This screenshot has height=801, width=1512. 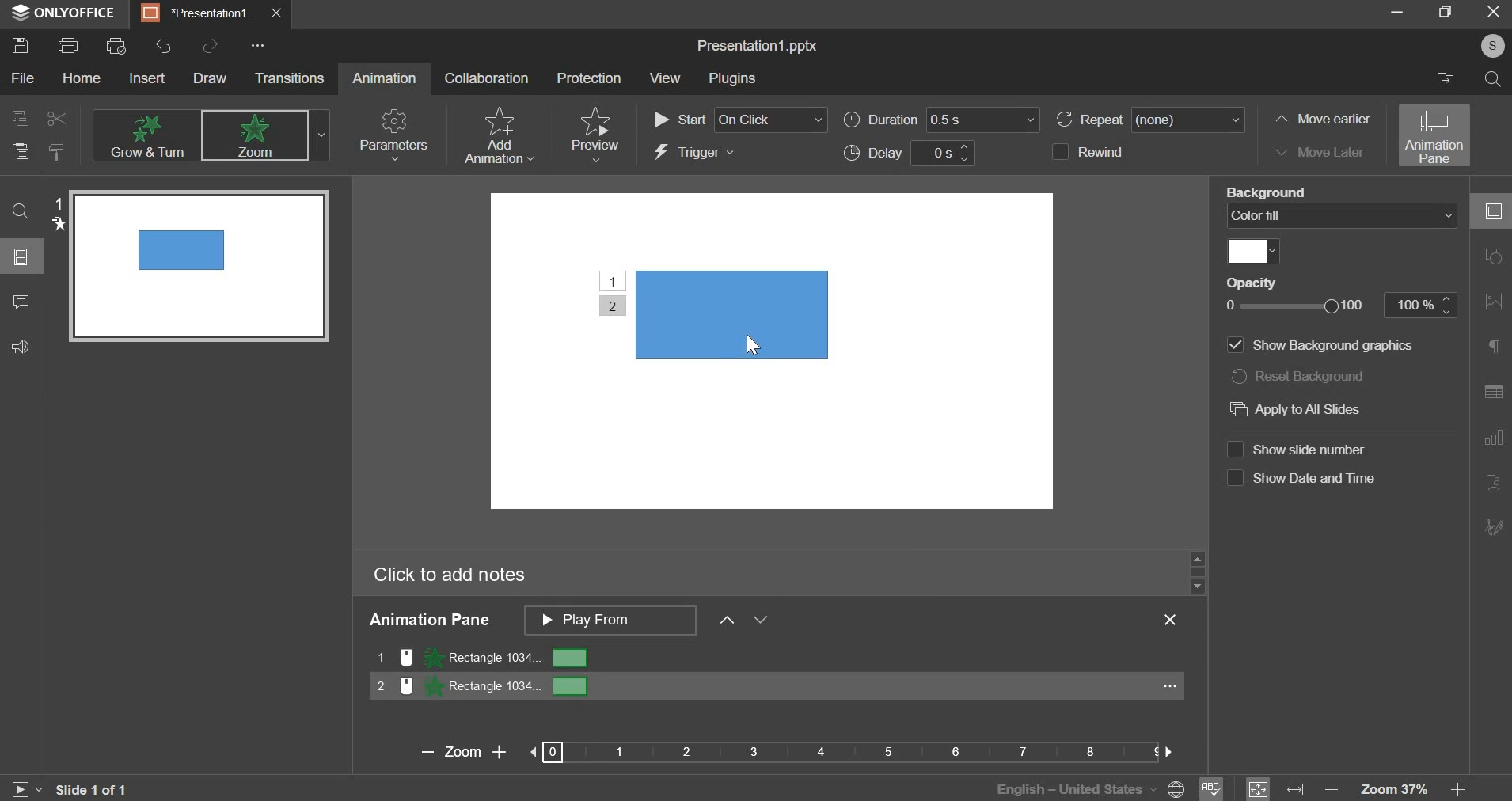 What do you see at coordinates (1173, 622) in the screenshot?
I see `Close` at bounding box center [1173, 622].